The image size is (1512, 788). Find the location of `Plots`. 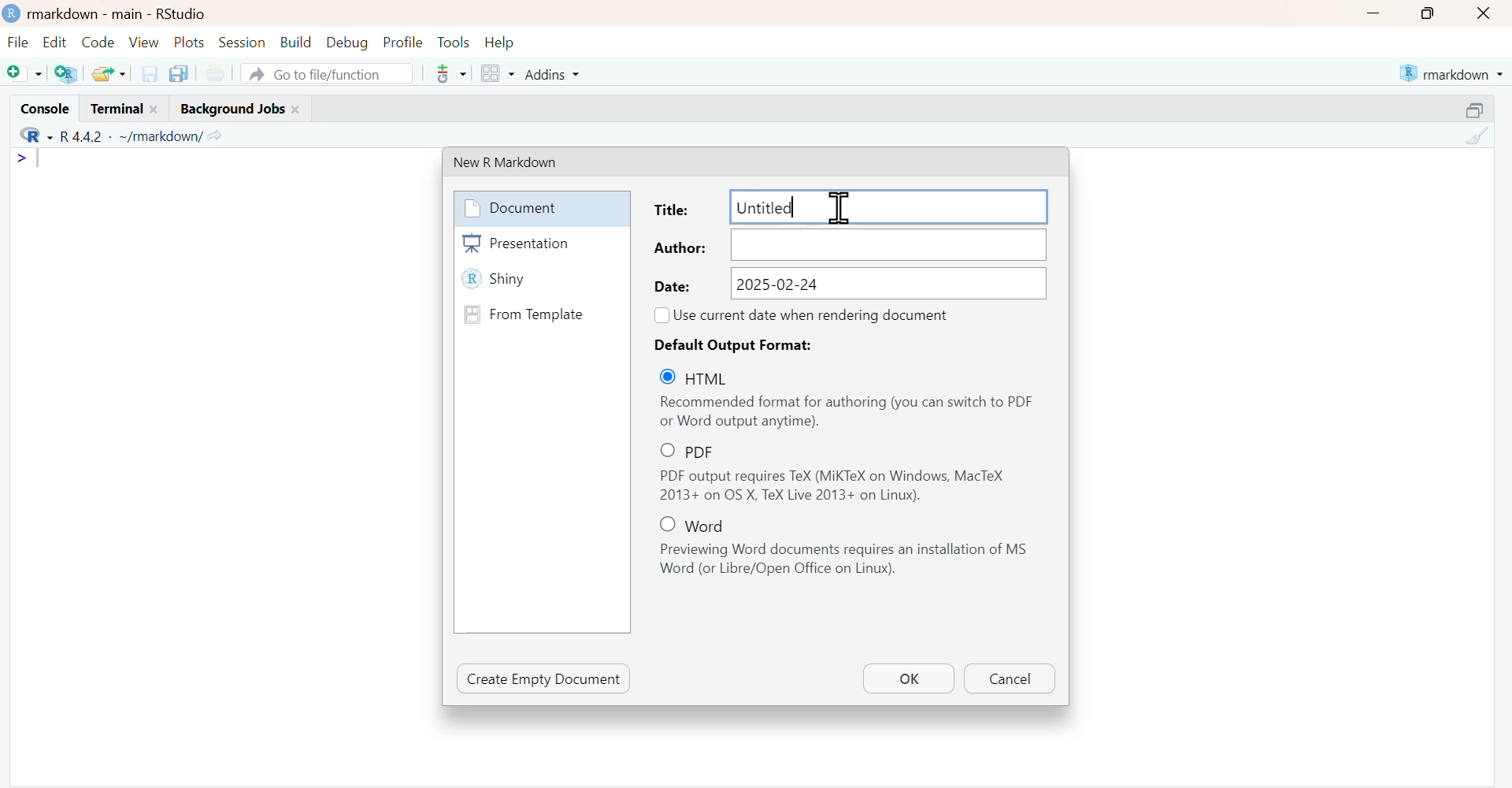

Plots is located at coordinates (191, 43).